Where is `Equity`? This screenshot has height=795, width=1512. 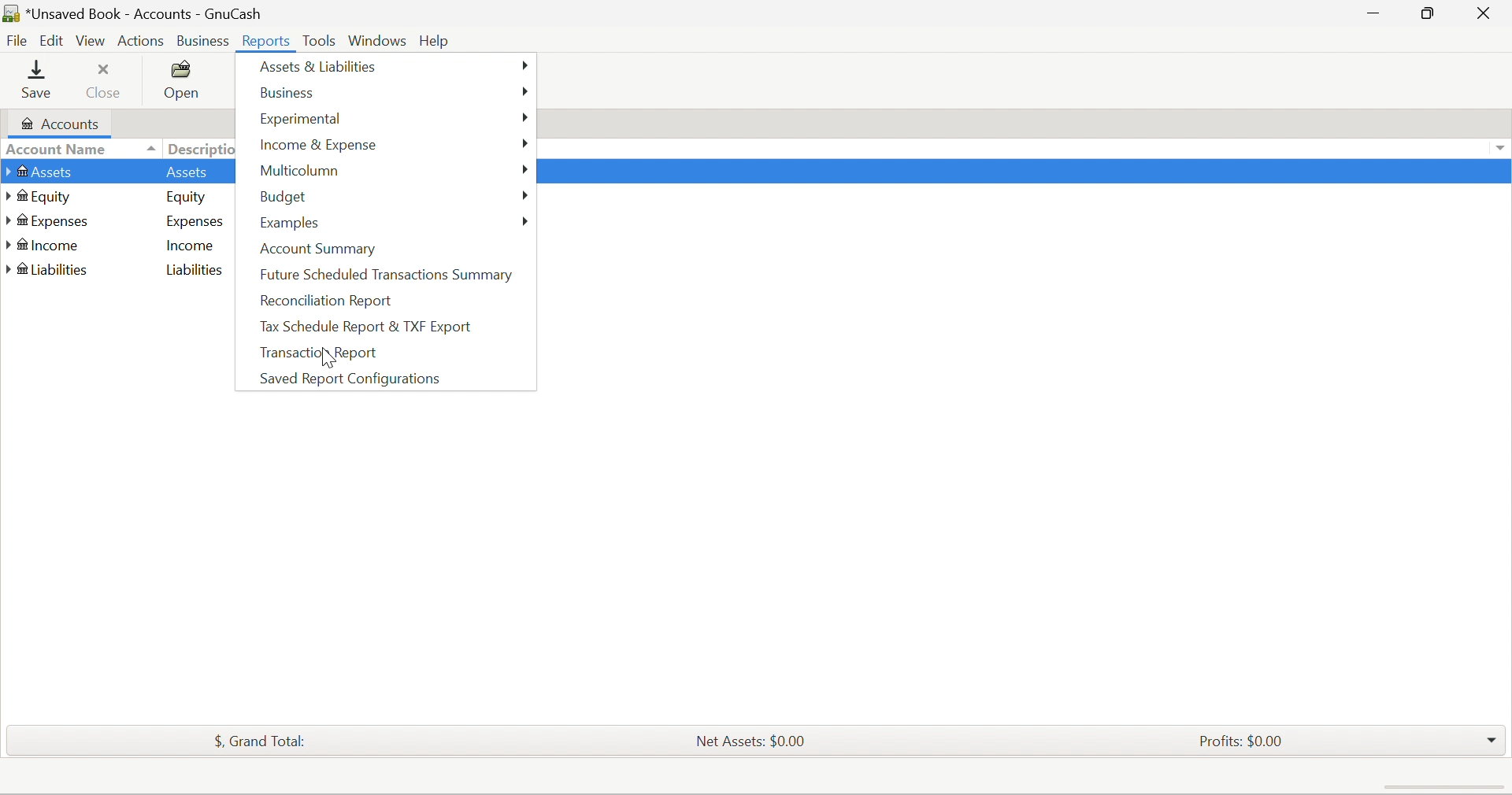 Equity is located at coordinates (188, 198).